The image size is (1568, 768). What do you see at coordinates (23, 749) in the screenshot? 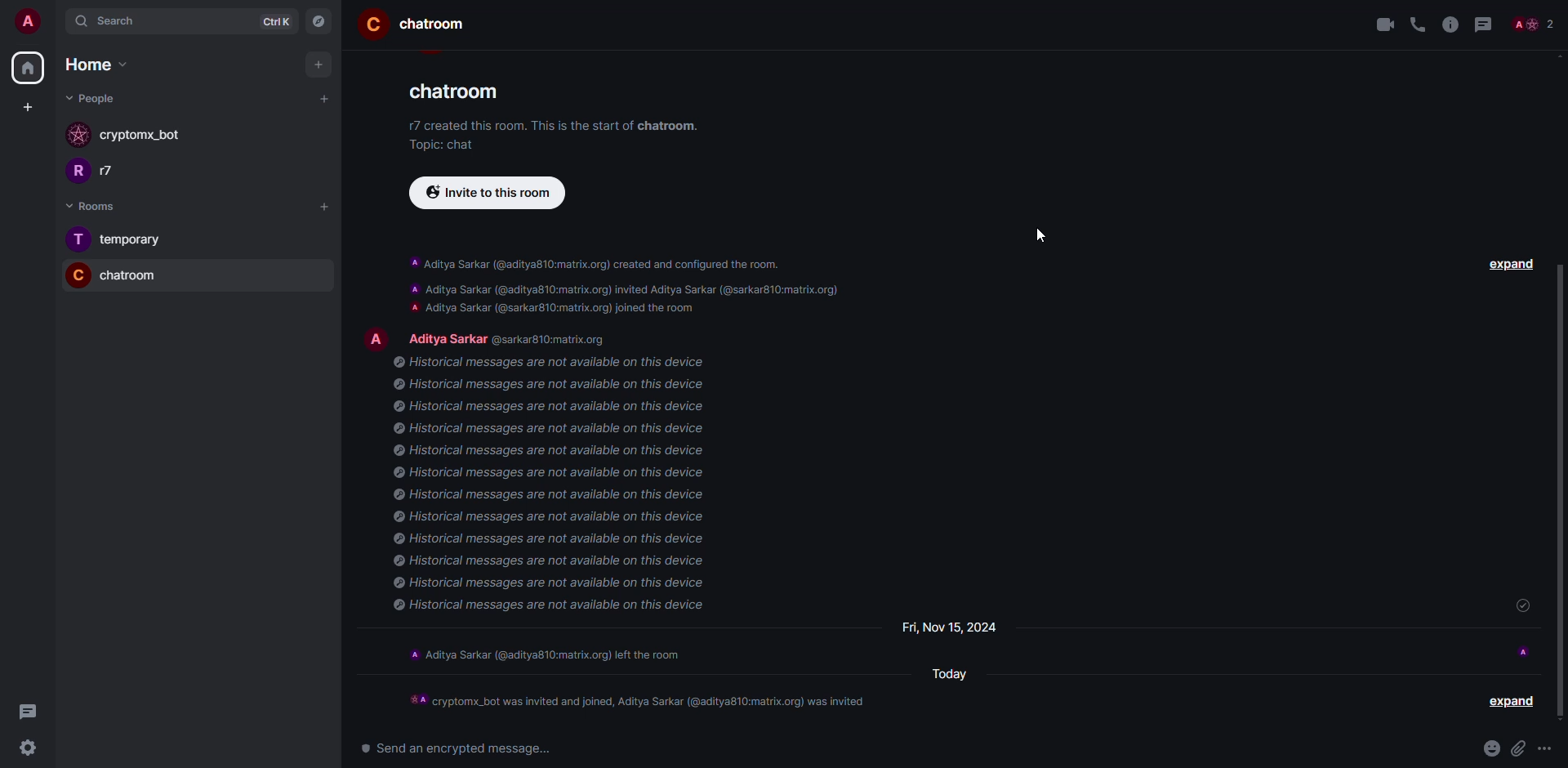
I see `settings` at bounding box center [23, 749].